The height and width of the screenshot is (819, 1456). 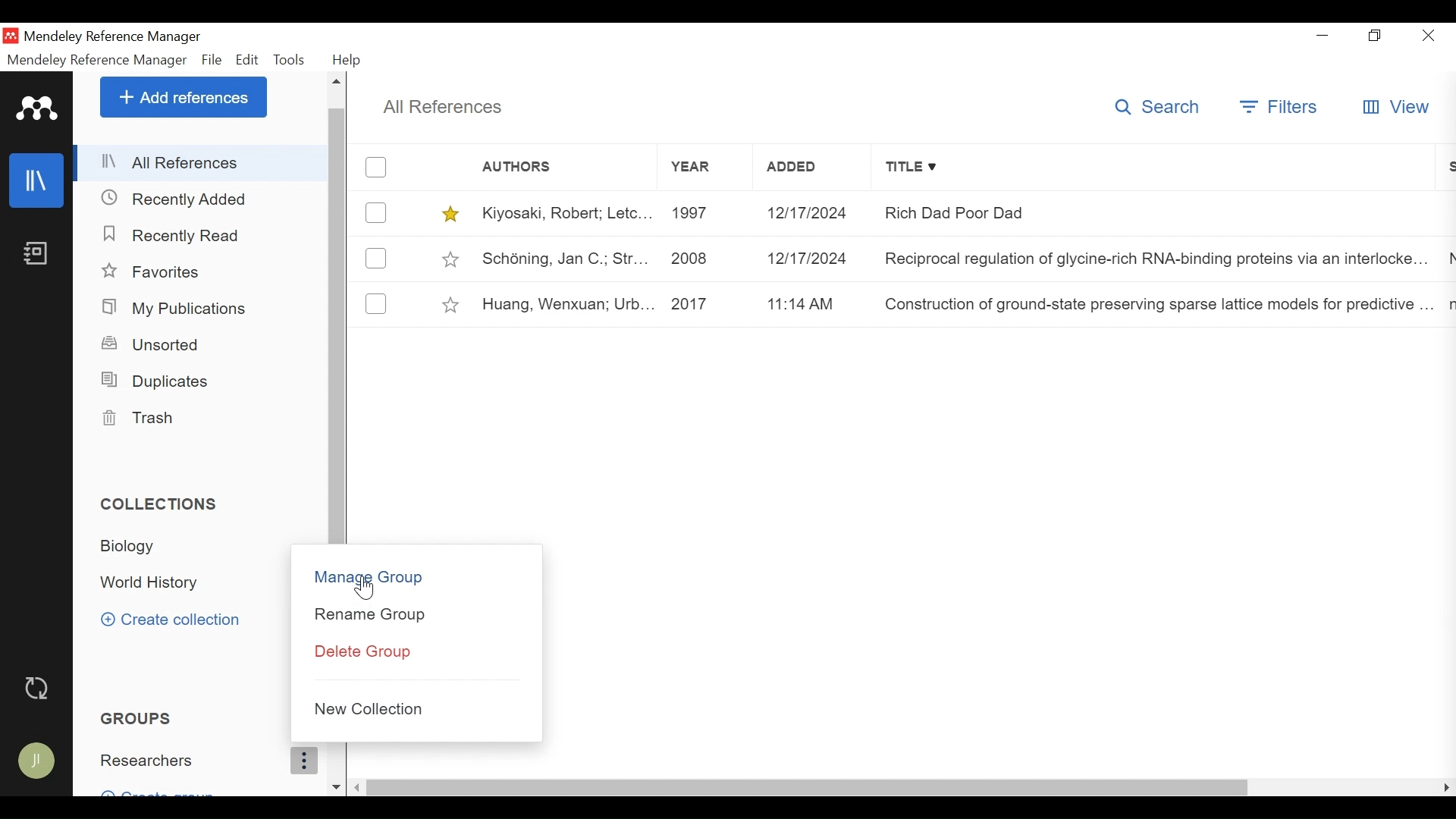 What do you see at coordinates (171, 618) in the screenshot?
I see `Create Collection` at bounding box center [171, 618].